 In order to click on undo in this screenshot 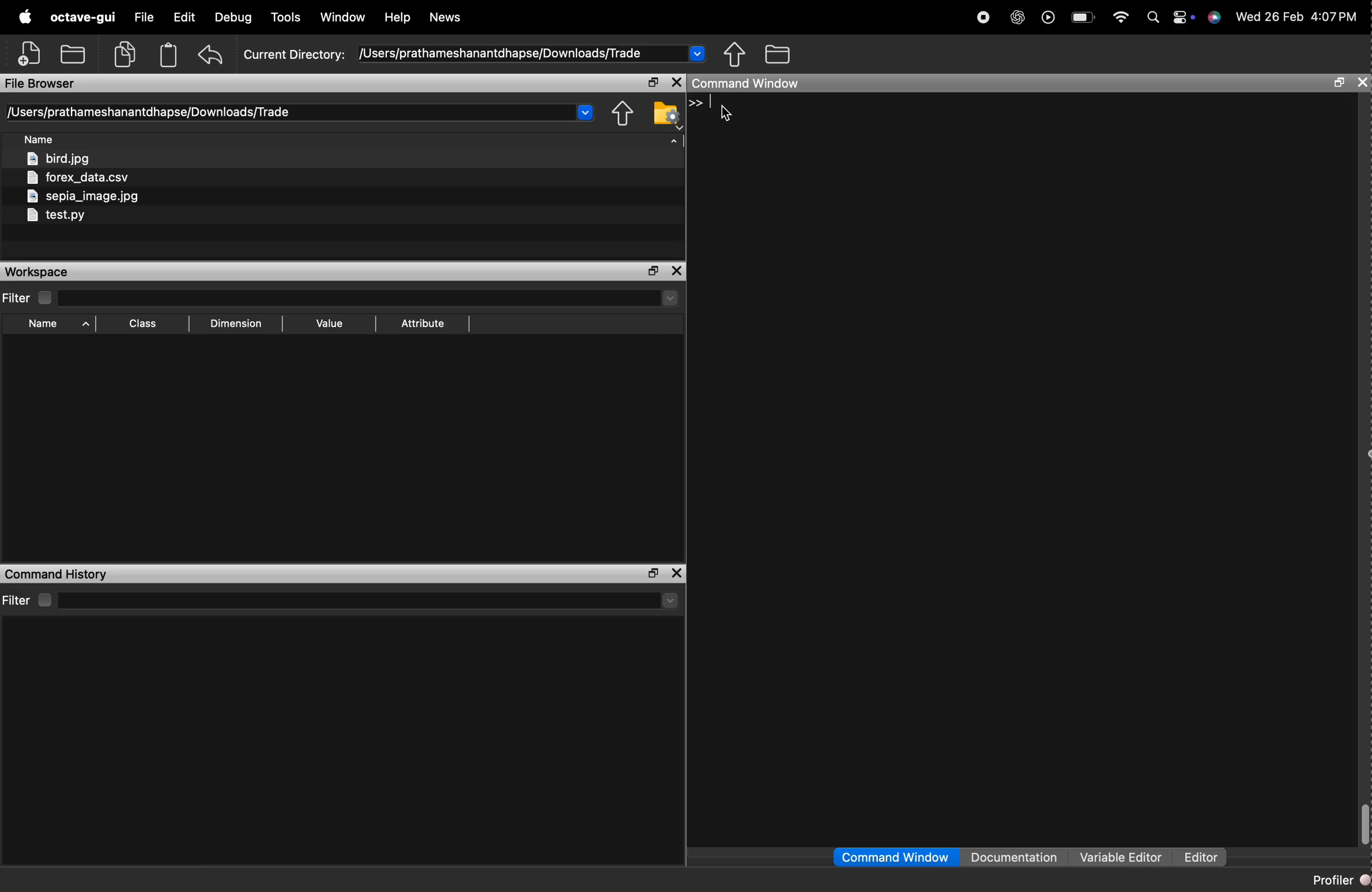, I will do `click(210, 55)`.